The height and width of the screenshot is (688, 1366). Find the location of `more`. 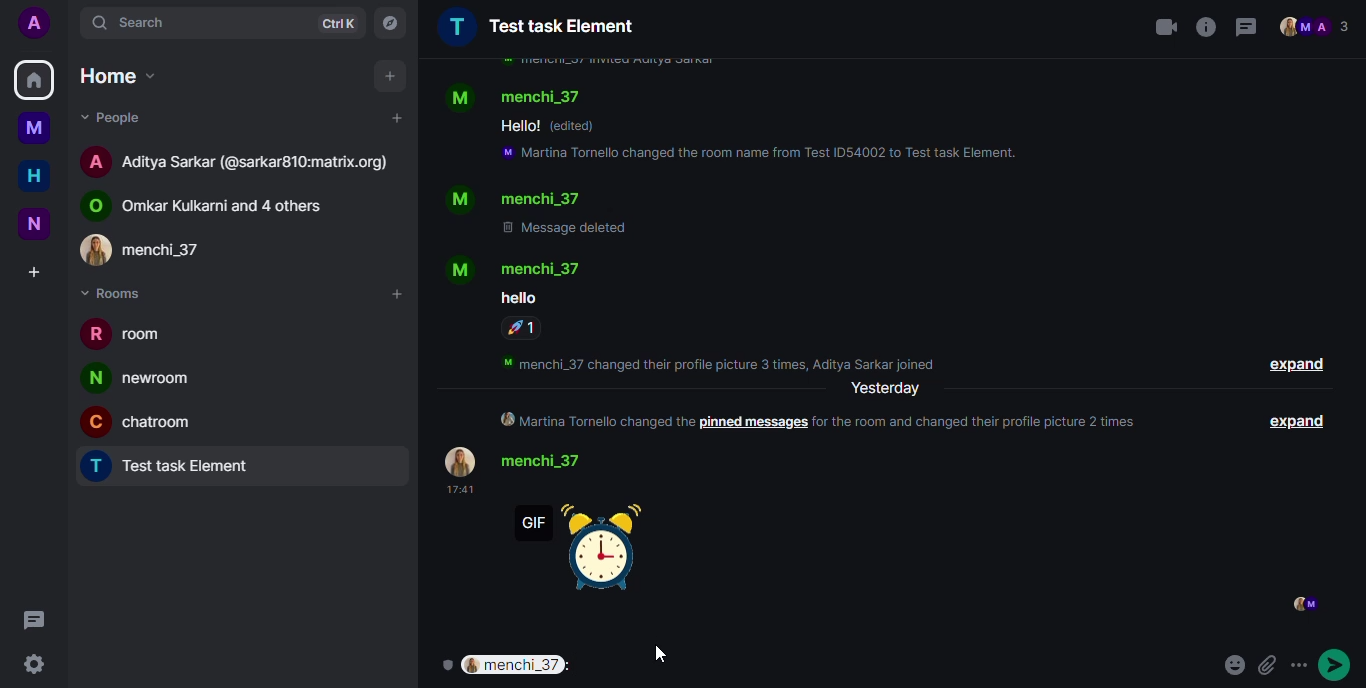

more is located at coordinates (1339, 662).